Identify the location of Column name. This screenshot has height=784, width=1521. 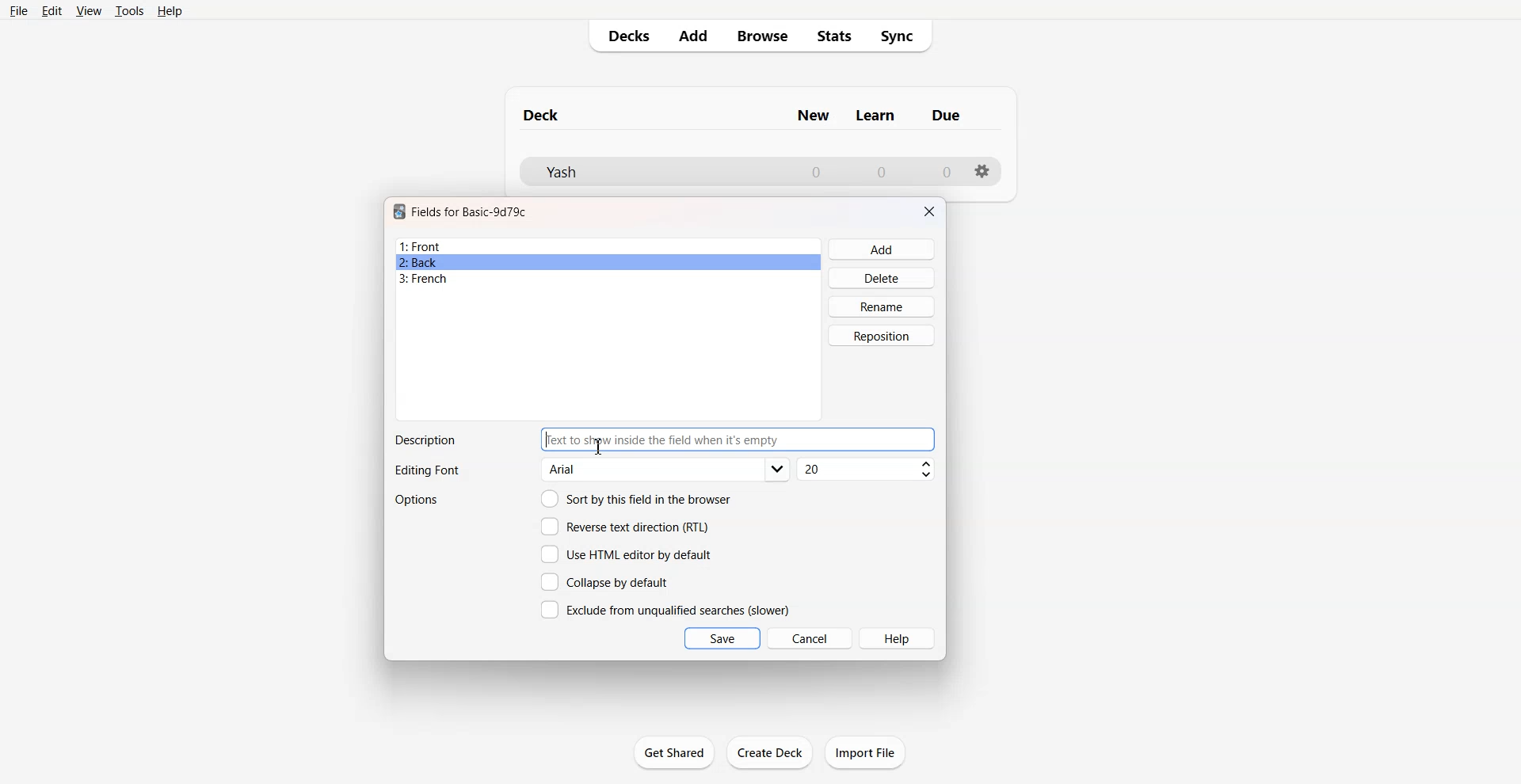
(946, 115).